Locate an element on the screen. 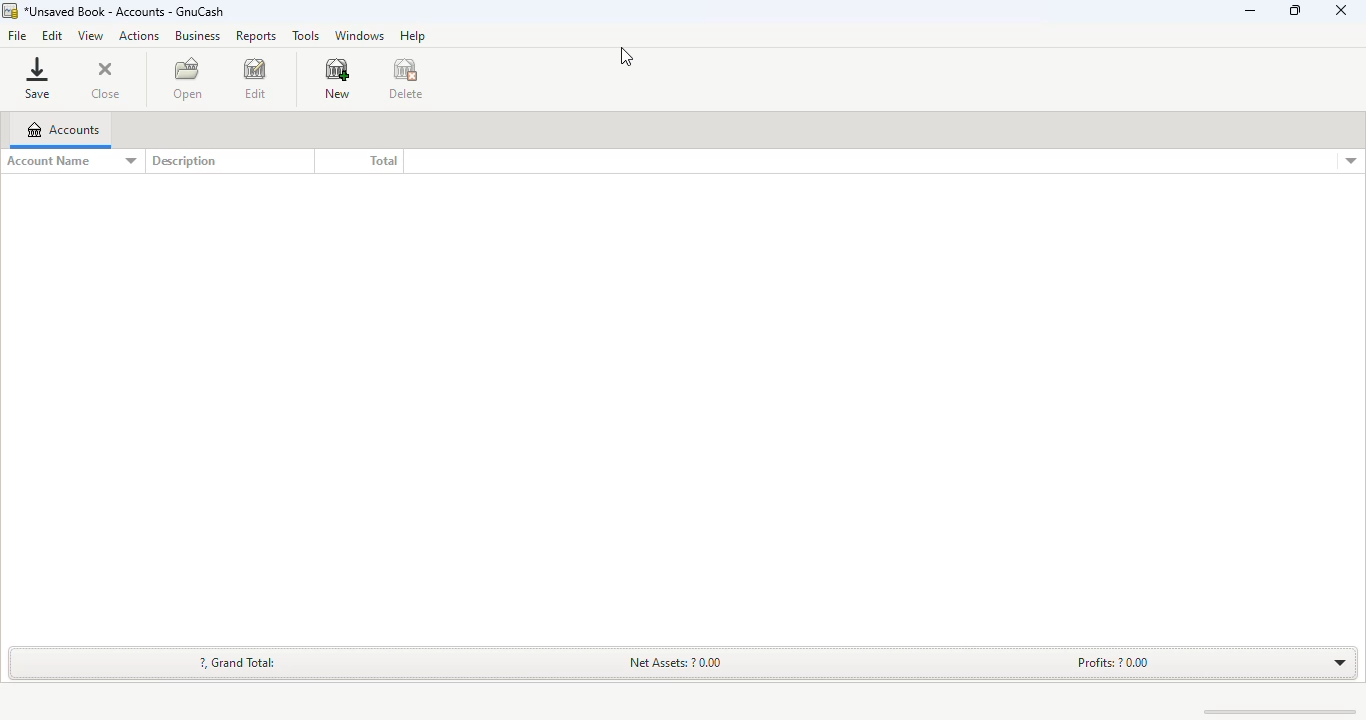 The image size is (1366, 720). delete is located at coordinates (406, 79).